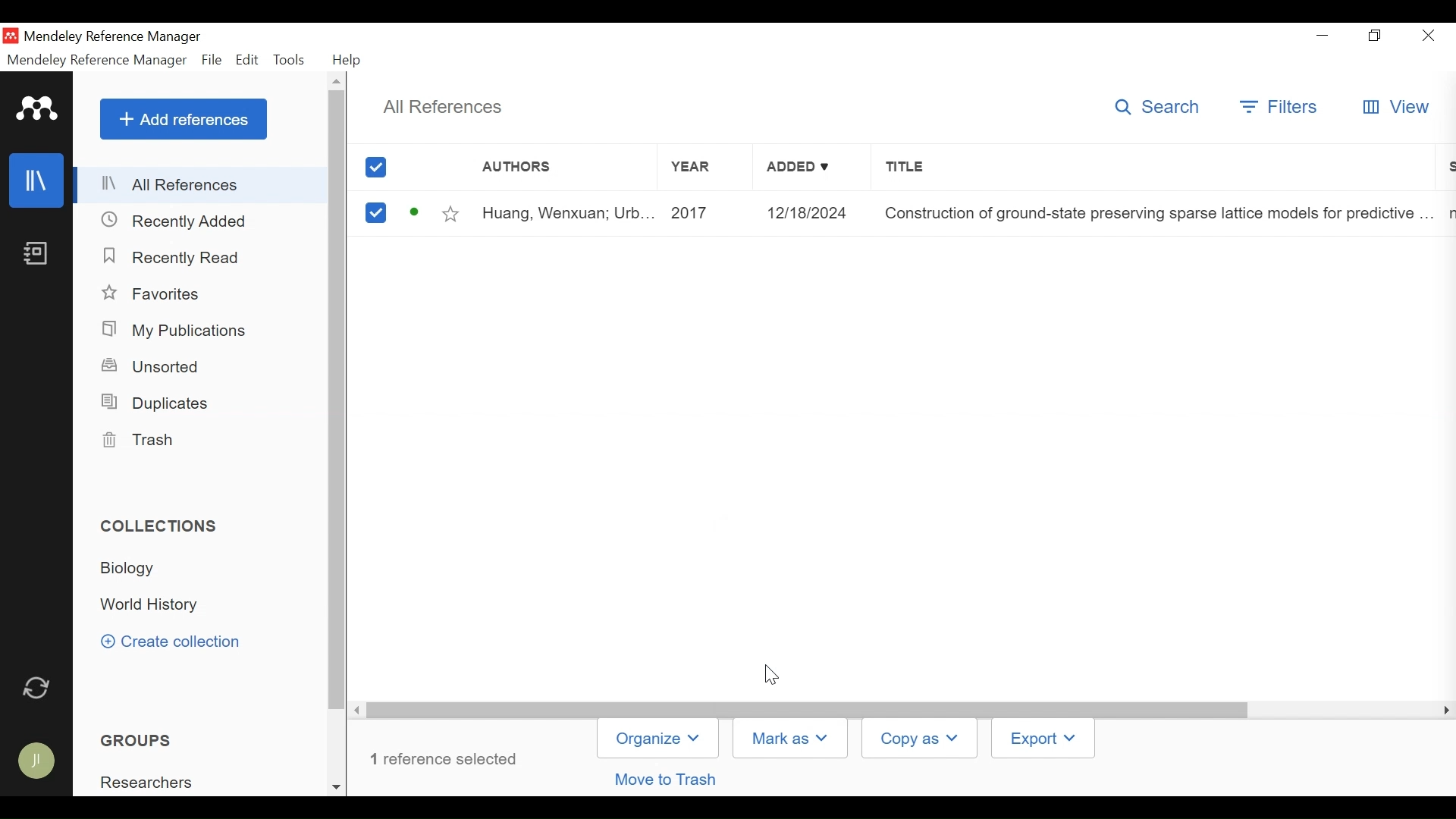 The width and height of the screenshot is (1456, 819). Describe the element at coordinates (246, 61) in the screenshot. I see `Edit` at that location.